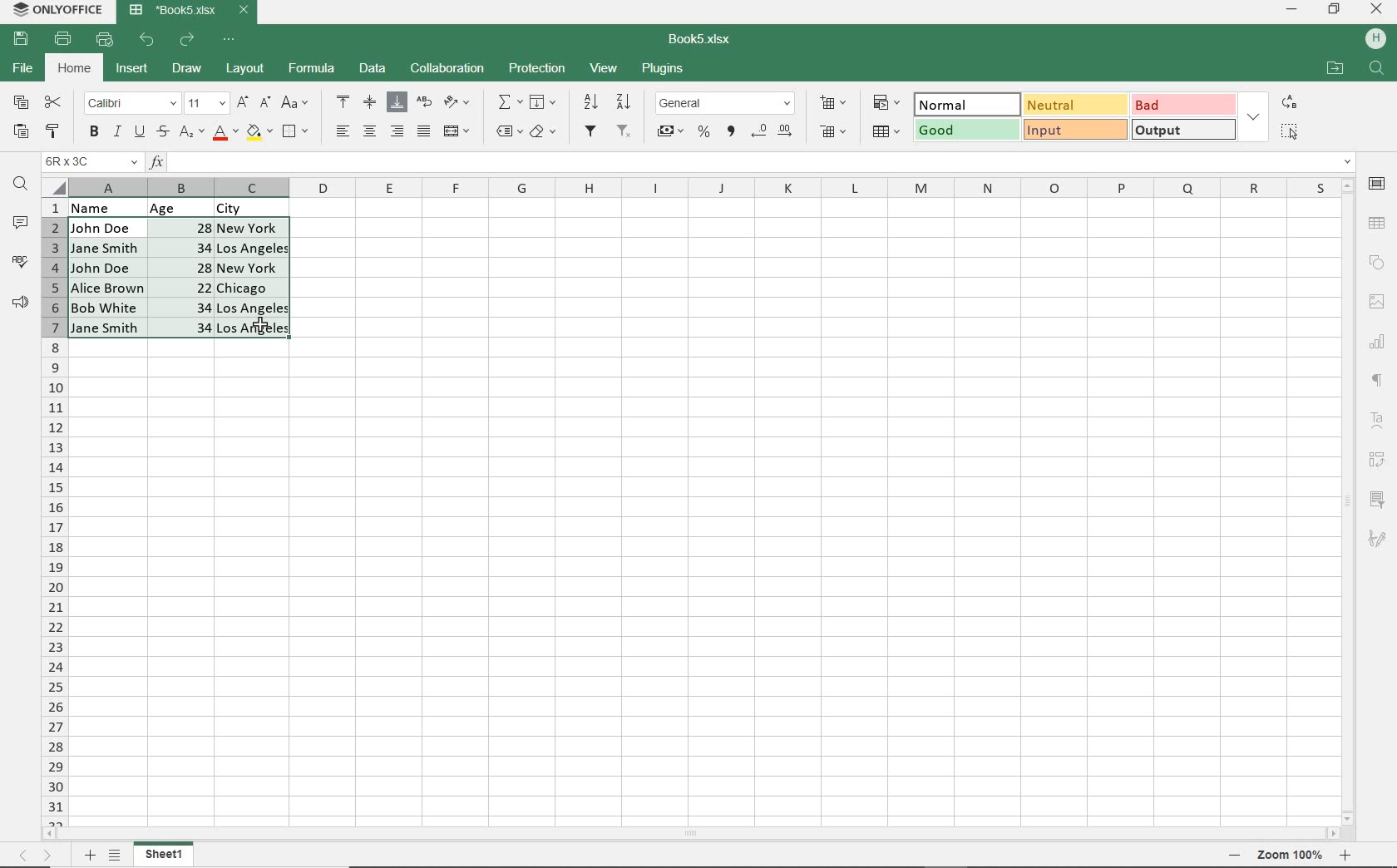  Describe the element at coordinates (625, 130) in the screenshot. I see `REMOVE FILTER` at that location.